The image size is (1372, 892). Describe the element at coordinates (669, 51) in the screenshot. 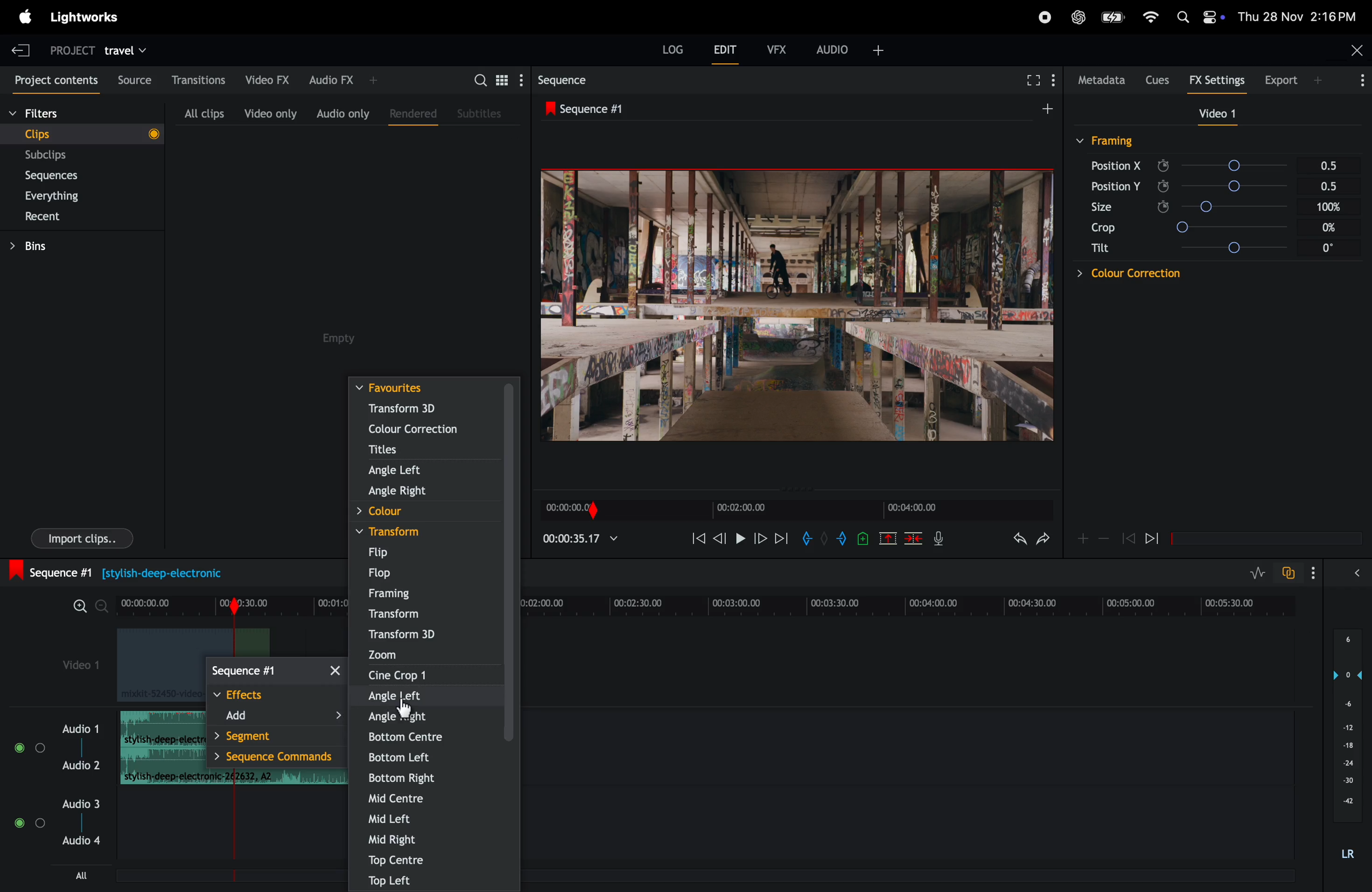

I see `log` at that location.